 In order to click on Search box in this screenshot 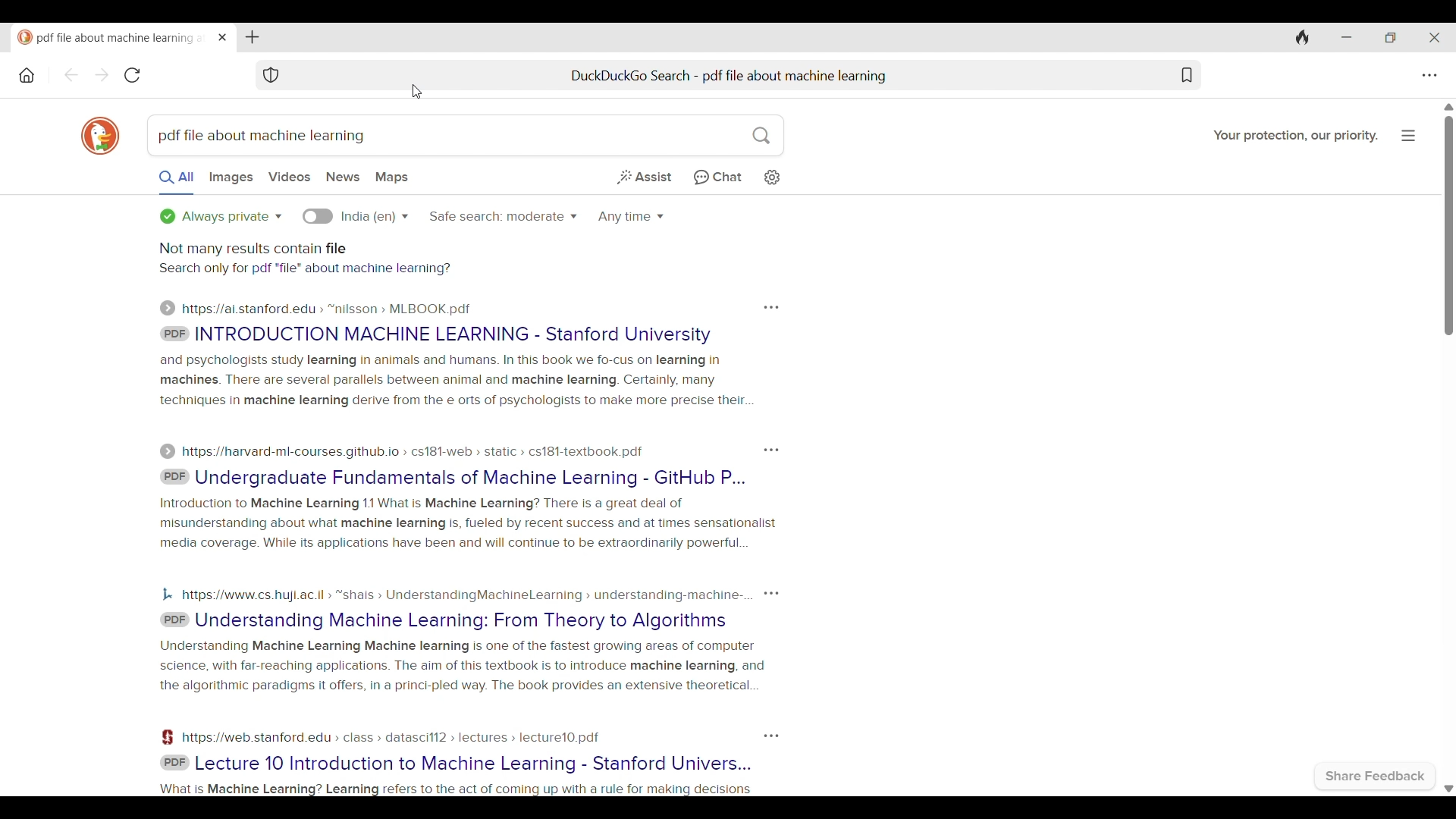, I will do `click(575, 136)`.